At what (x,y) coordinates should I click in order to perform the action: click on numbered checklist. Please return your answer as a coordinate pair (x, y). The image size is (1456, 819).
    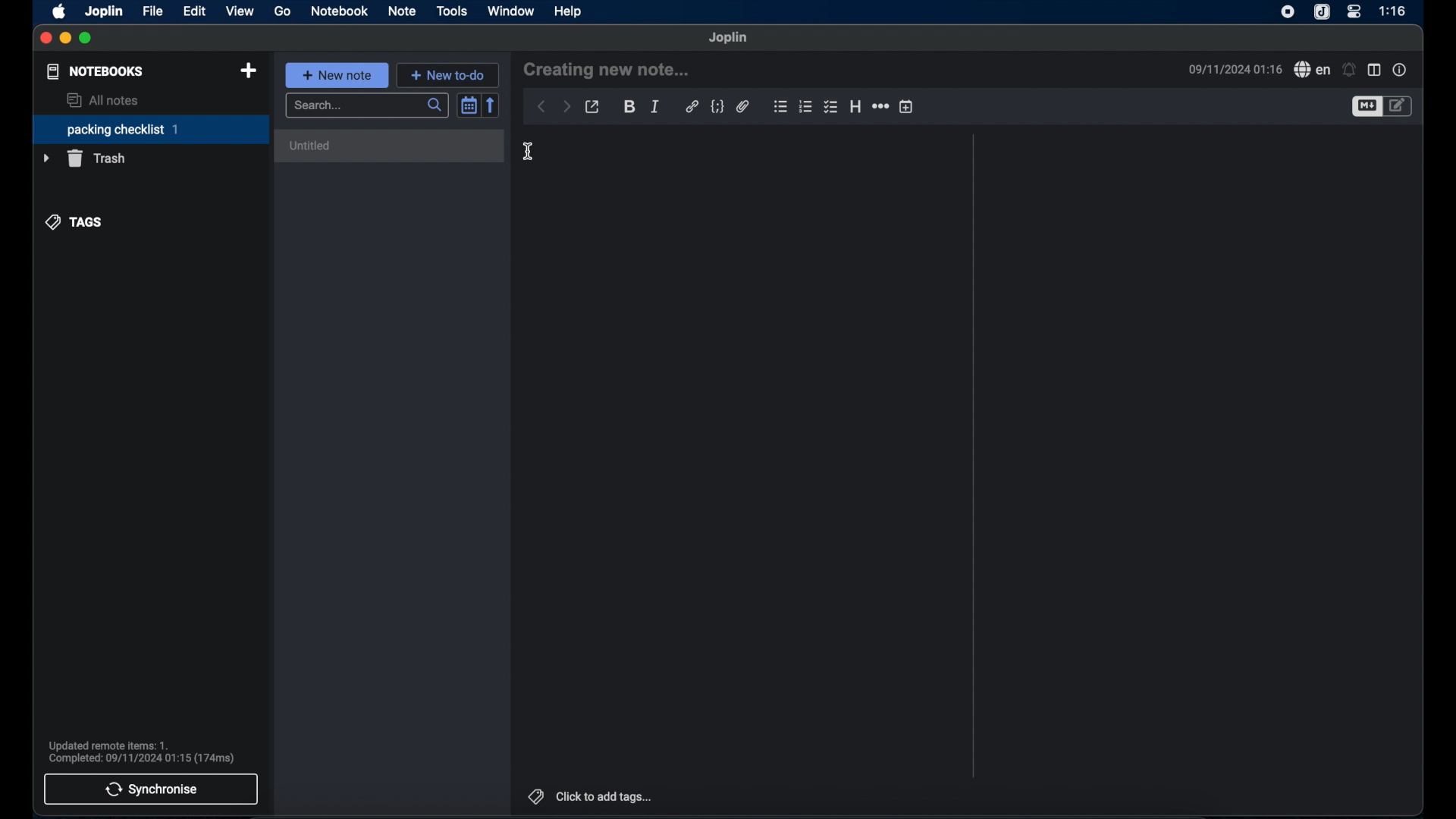
    Looking at the image, I should click on (806, 108).